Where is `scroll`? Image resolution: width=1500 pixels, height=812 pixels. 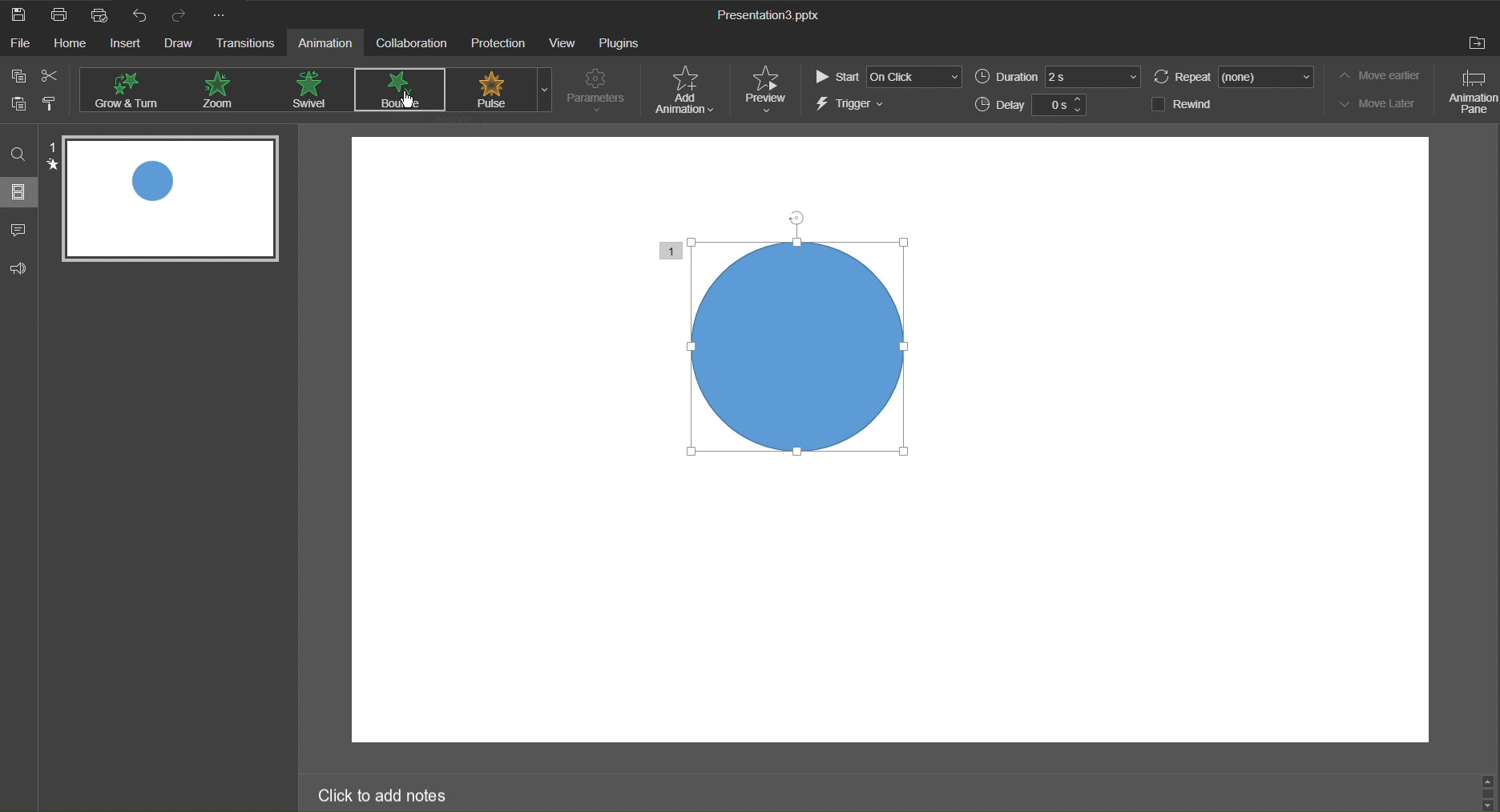 scroll is located at coordinates (1487, 791).